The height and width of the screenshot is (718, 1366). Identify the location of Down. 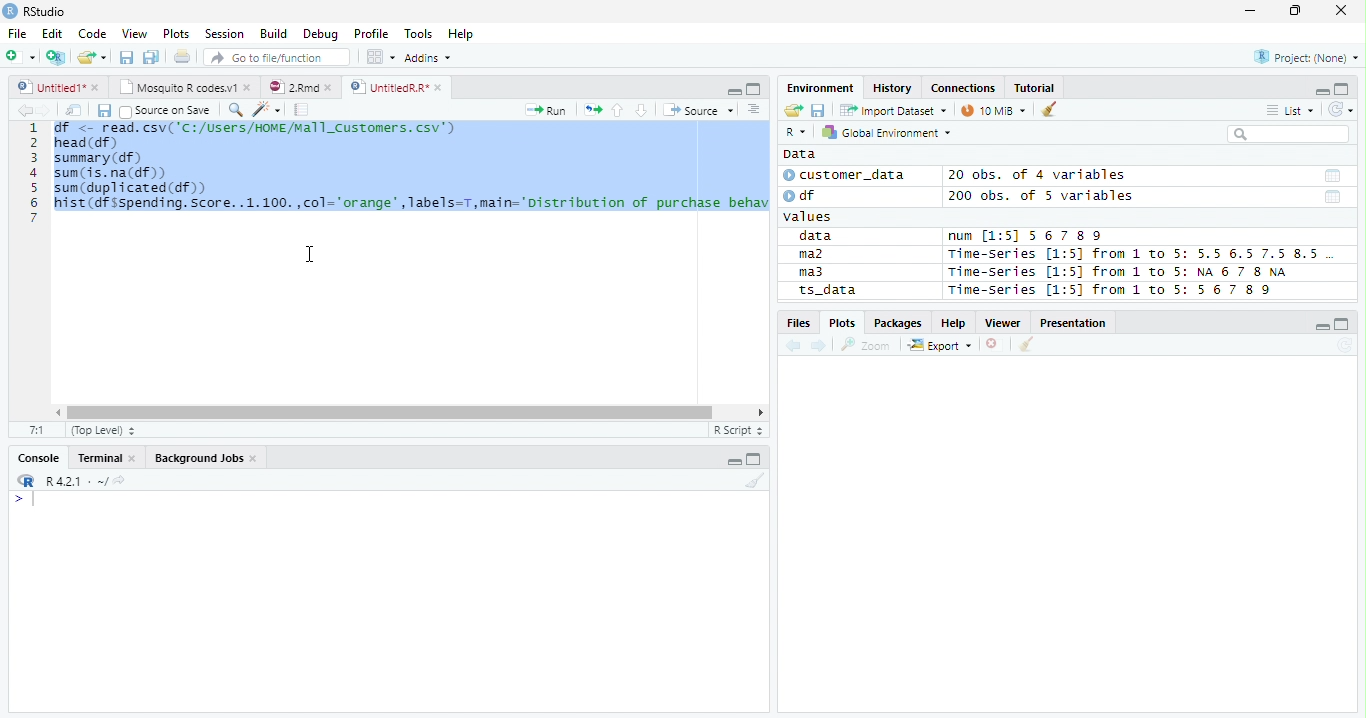
(641, 111).